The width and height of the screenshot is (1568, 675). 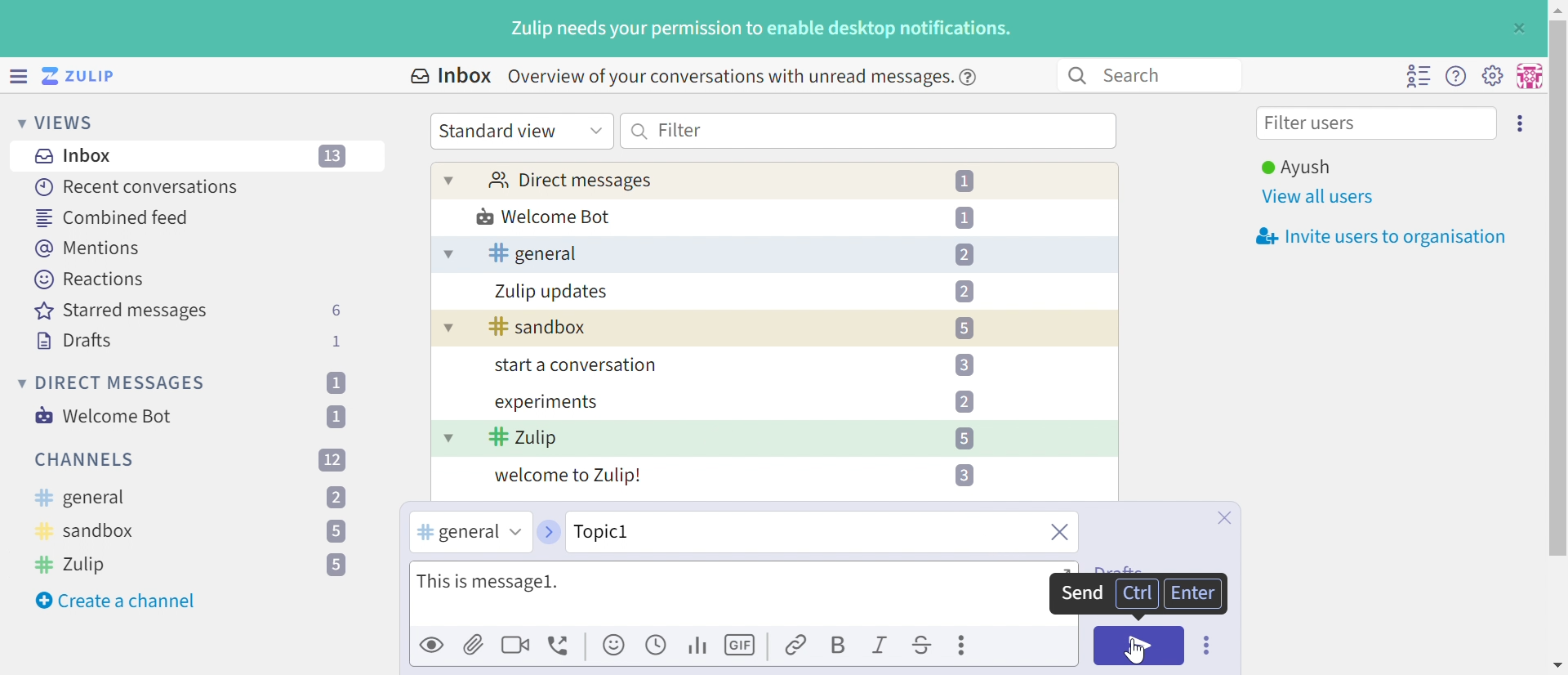 I want to click on sandbox, so click(x=538, y=328).